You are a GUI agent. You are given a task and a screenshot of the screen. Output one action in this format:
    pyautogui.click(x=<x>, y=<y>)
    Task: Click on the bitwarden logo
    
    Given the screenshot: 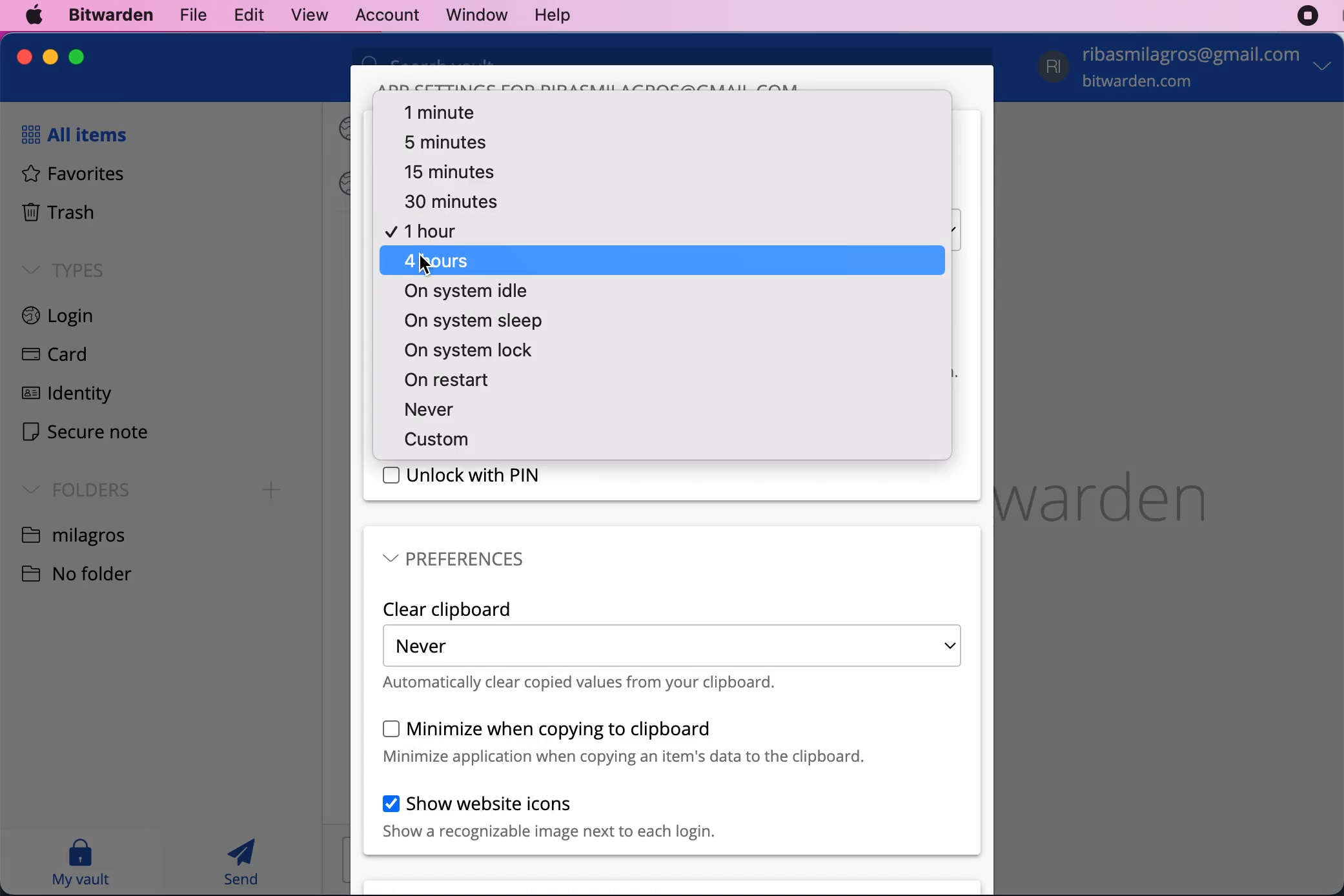 What is the action you would take?
    pyautogui.click(x=1126, y=491)
    